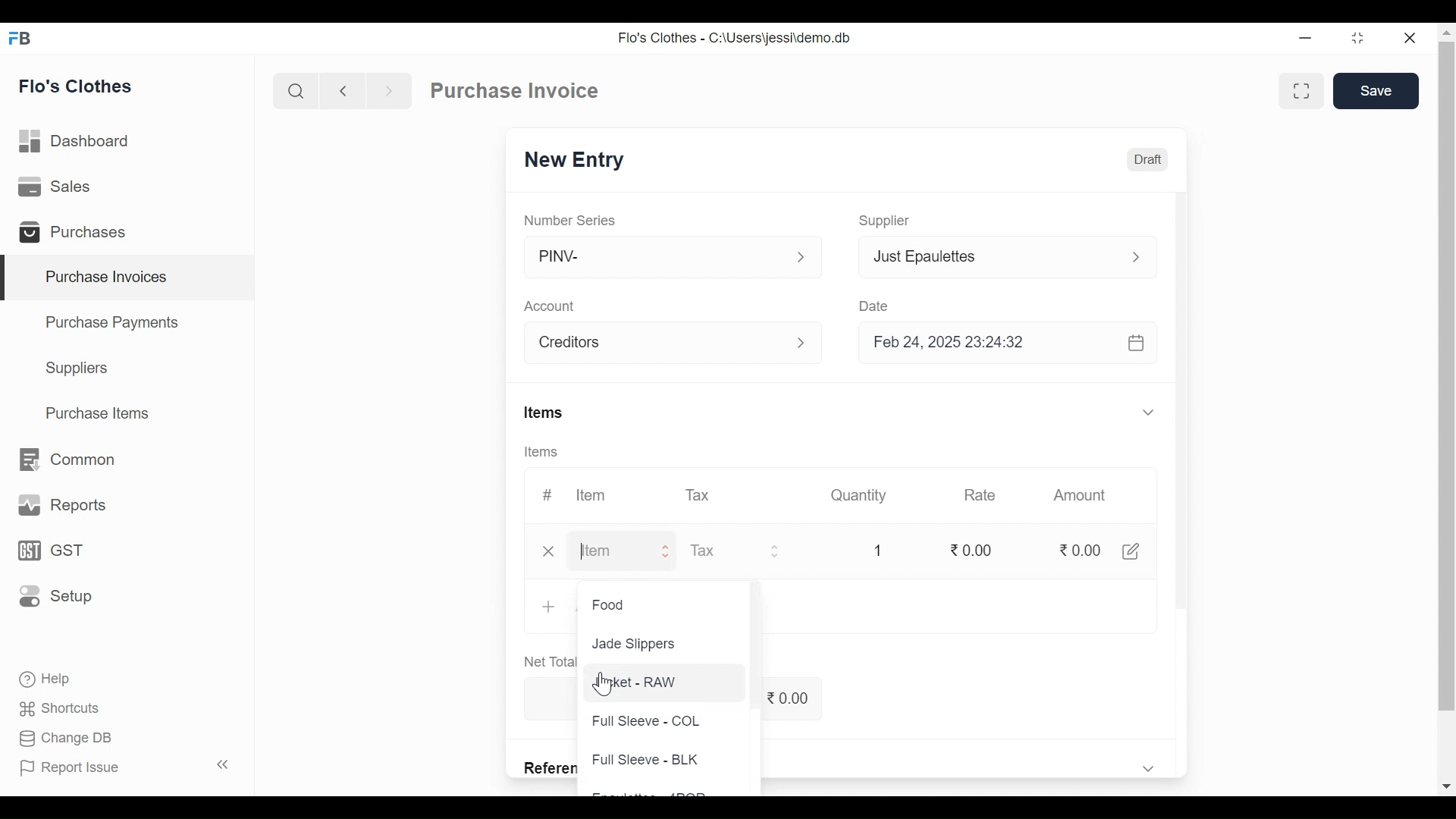 The image size is (1456, 819). Describe the element at coordinates (551, 551) in the screenshot. I see `Close` at that location.